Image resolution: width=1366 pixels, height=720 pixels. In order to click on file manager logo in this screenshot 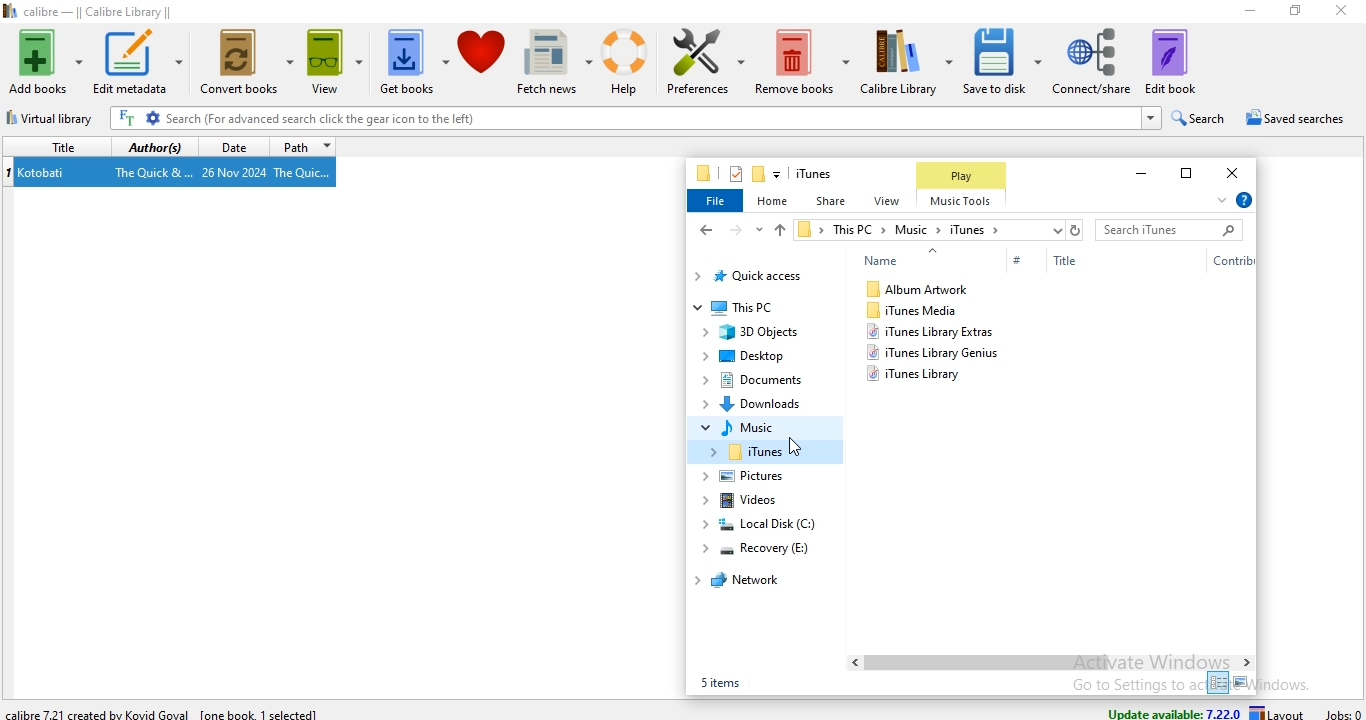, I will do `click(705, 173)`.